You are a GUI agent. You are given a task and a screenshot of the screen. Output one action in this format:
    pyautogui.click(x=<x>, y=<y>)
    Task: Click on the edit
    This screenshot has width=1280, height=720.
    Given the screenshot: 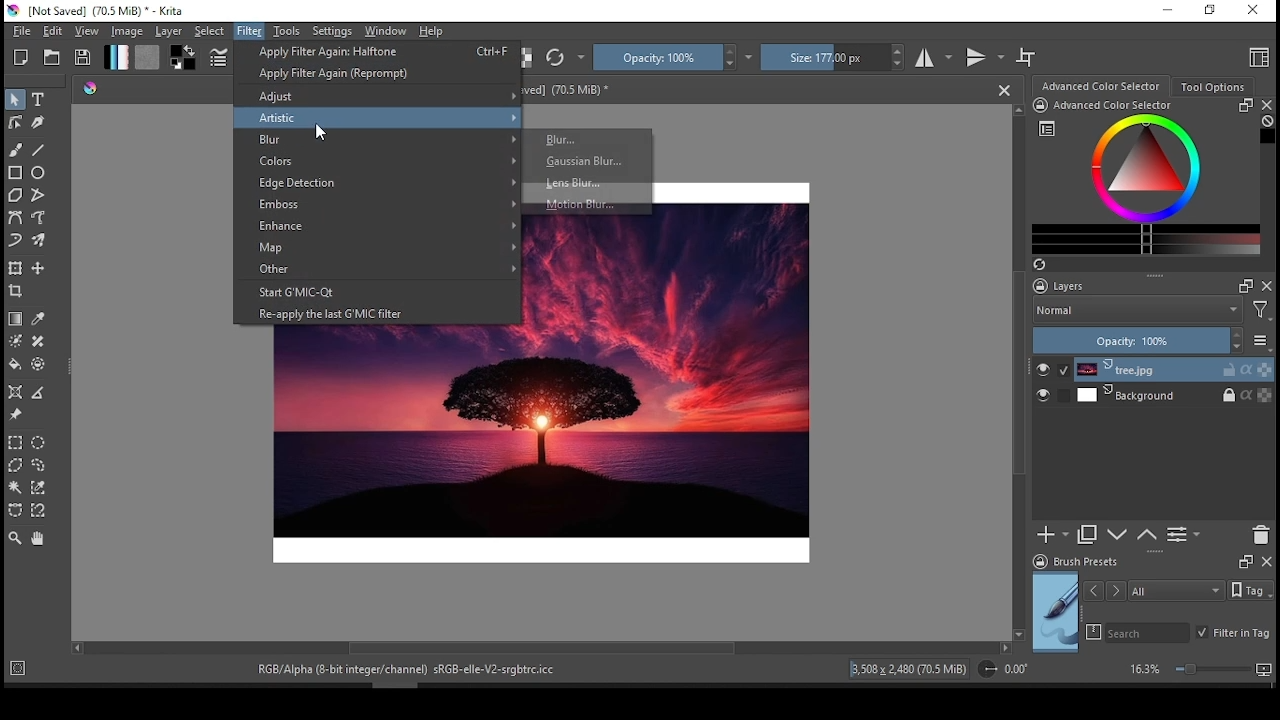 What is the action you would take?
    pyautogui.click(x=52, y=31)
    